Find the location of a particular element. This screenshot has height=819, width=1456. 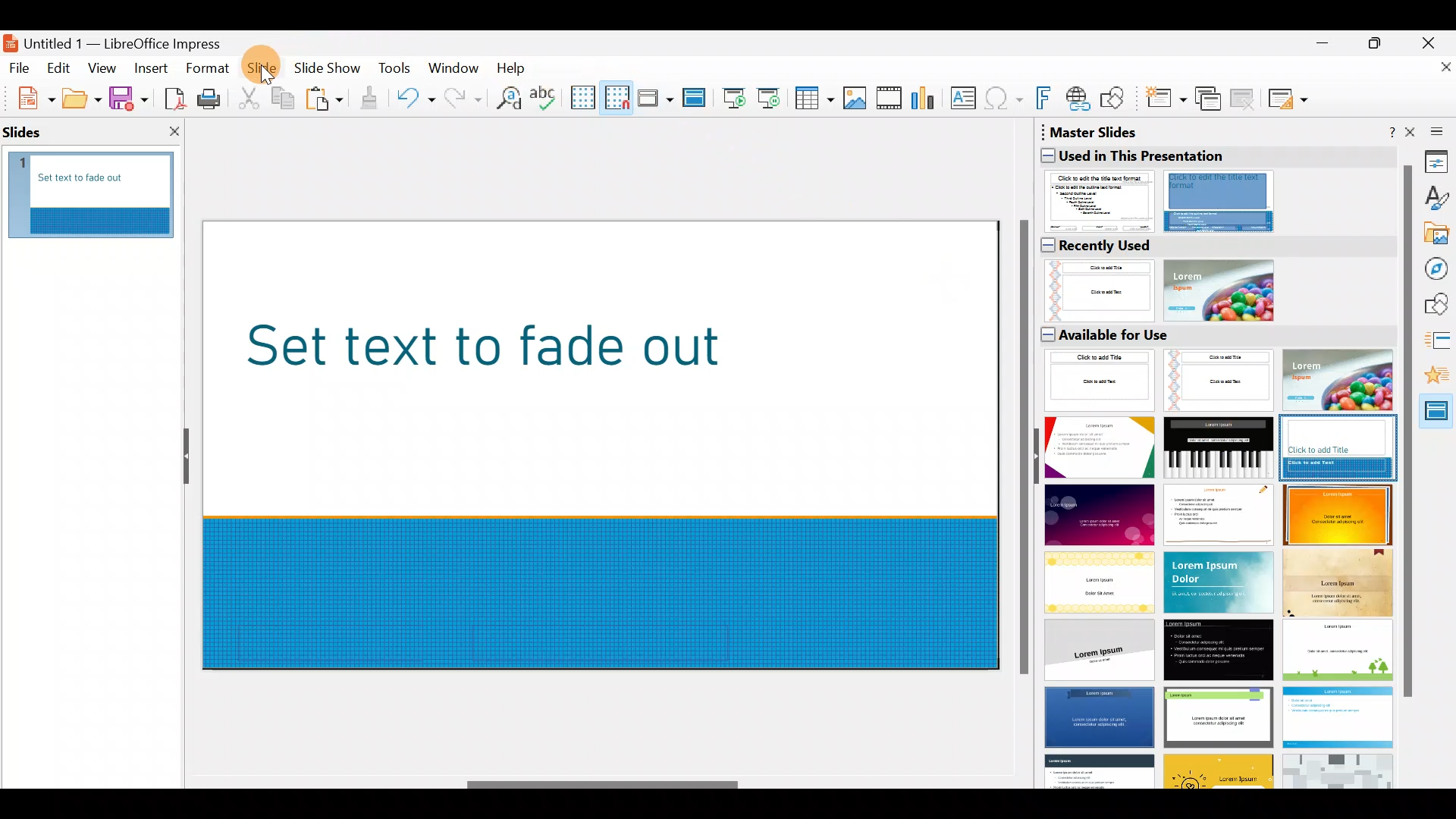

scroll bar is located at coordinates (1407, 432).